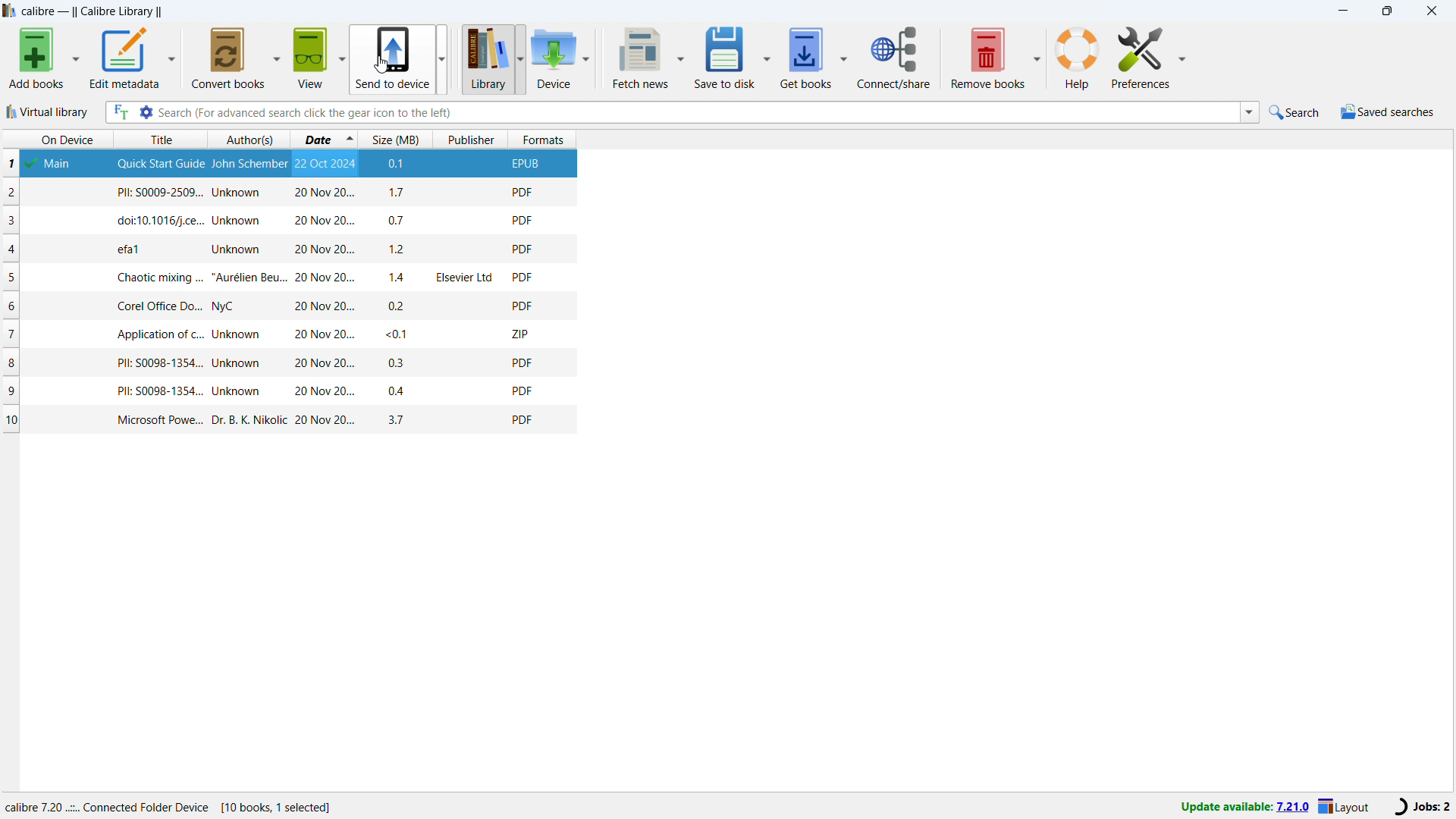 This screenshot has height=819, width=1456. What do you see at coordinates (340, 165) in the screenshot?
I see `selected book` at bounding box center [340, 165].